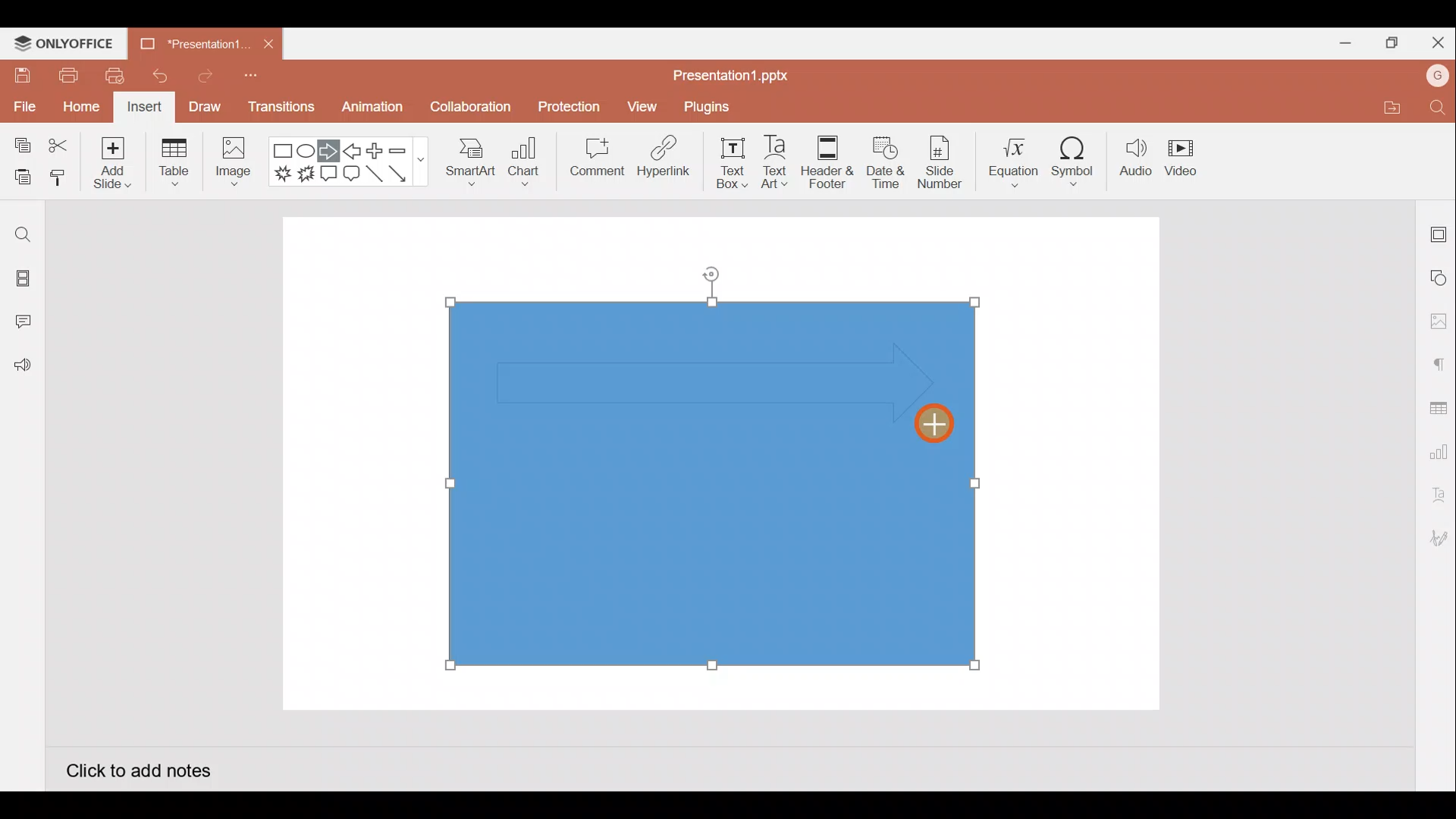 The height and width of the screenshot is (819, 1456). What do you see at coordinates (374, 111) in the screenshot?
I see `Animation` at bounding box center [374, 111].